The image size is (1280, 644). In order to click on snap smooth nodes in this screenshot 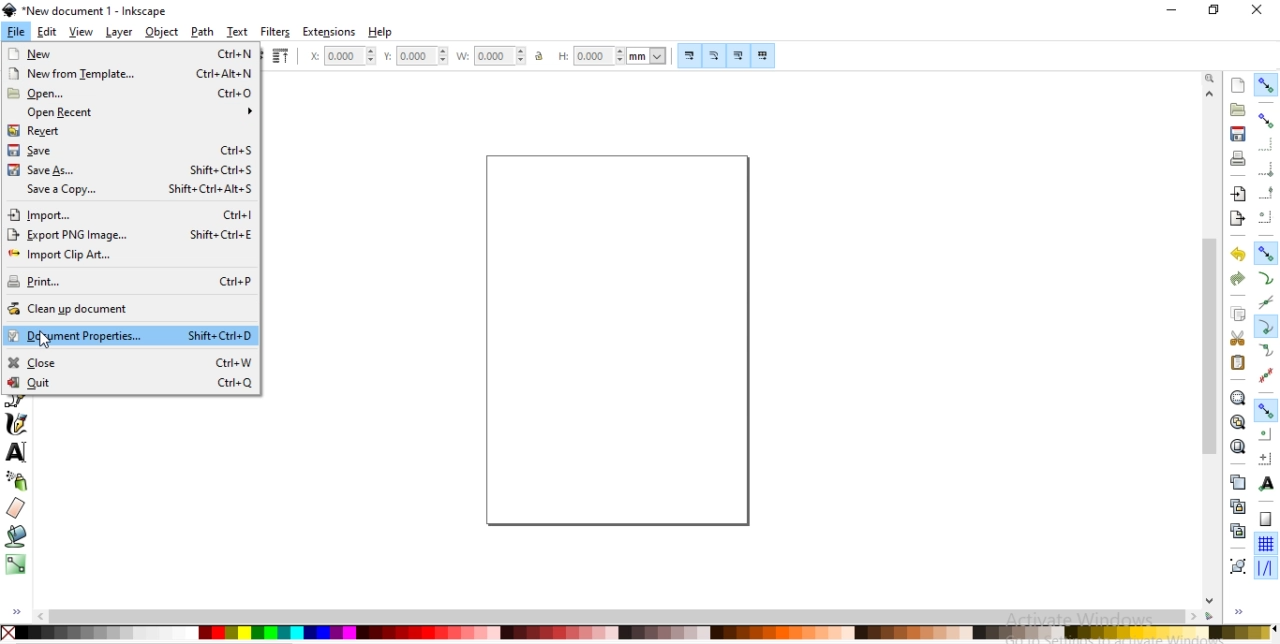, I will do `click(1264, 351)`.